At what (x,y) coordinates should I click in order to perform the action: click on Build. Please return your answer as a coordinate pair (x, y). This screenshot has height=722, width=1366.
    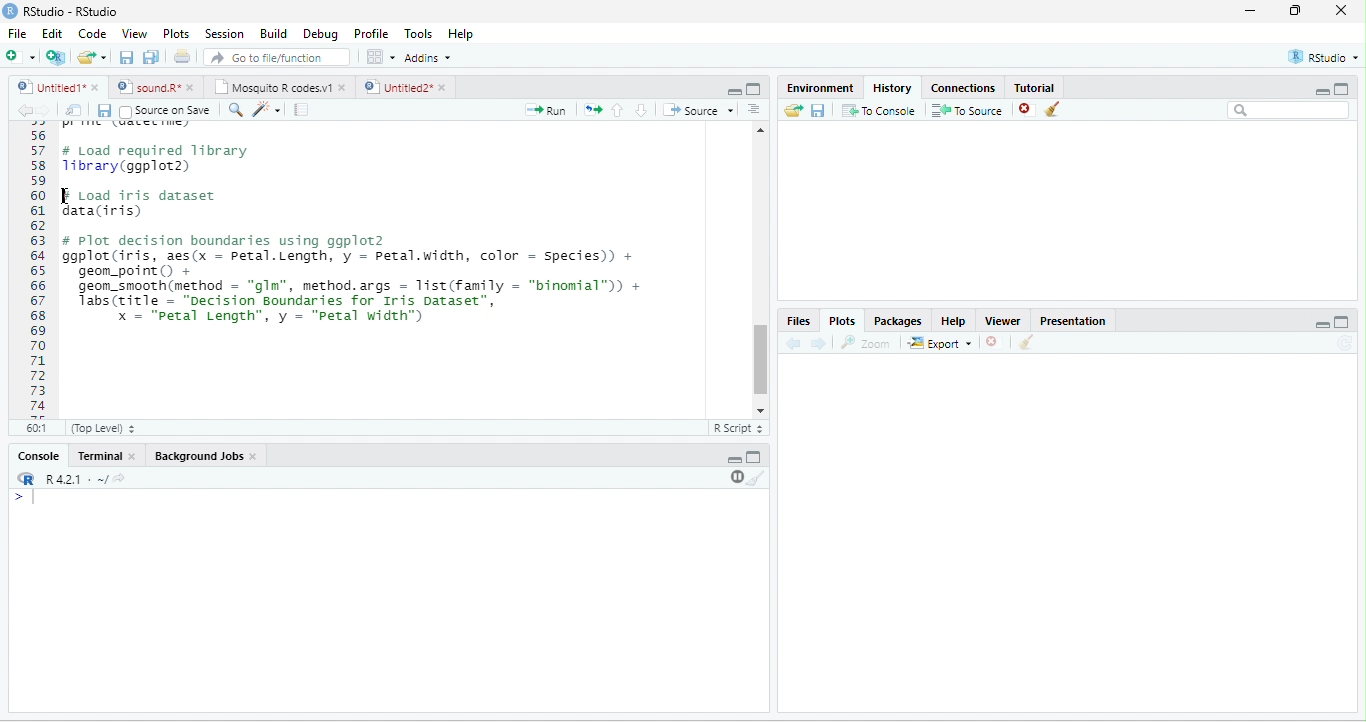
    Looking at the image, I should click on (275, 34).